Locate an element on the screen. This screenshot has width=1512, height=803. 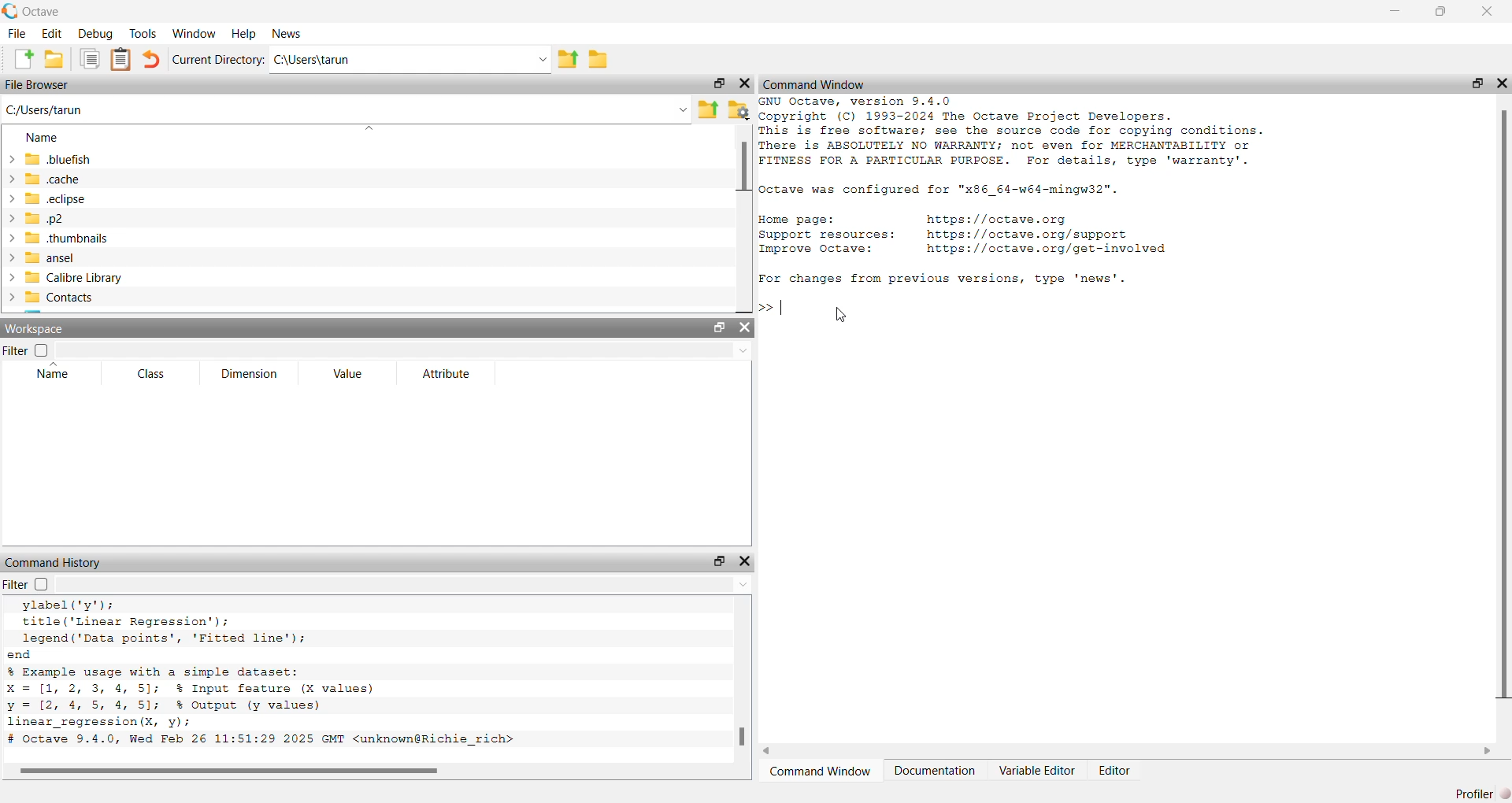
command window is located at coordinates (821, 771).